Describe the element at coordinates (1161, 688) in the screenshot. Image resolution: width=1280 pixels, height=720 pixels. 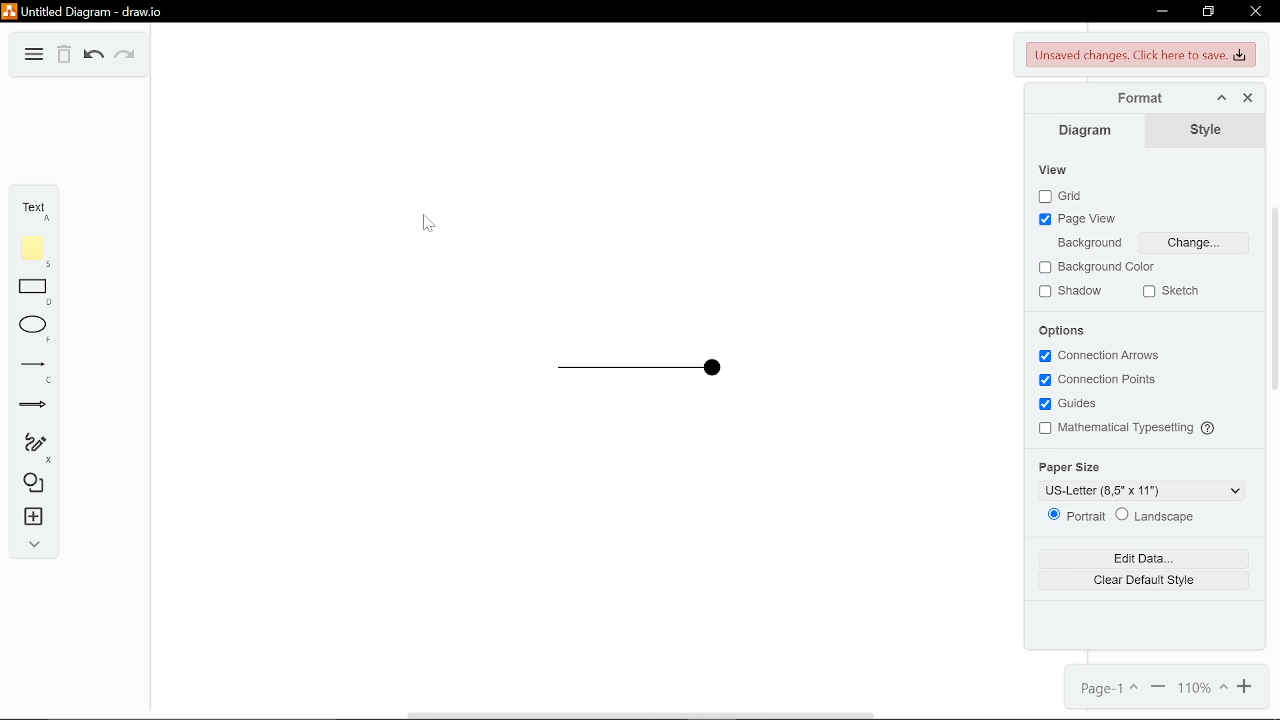
I see `Zoom out` at that location.